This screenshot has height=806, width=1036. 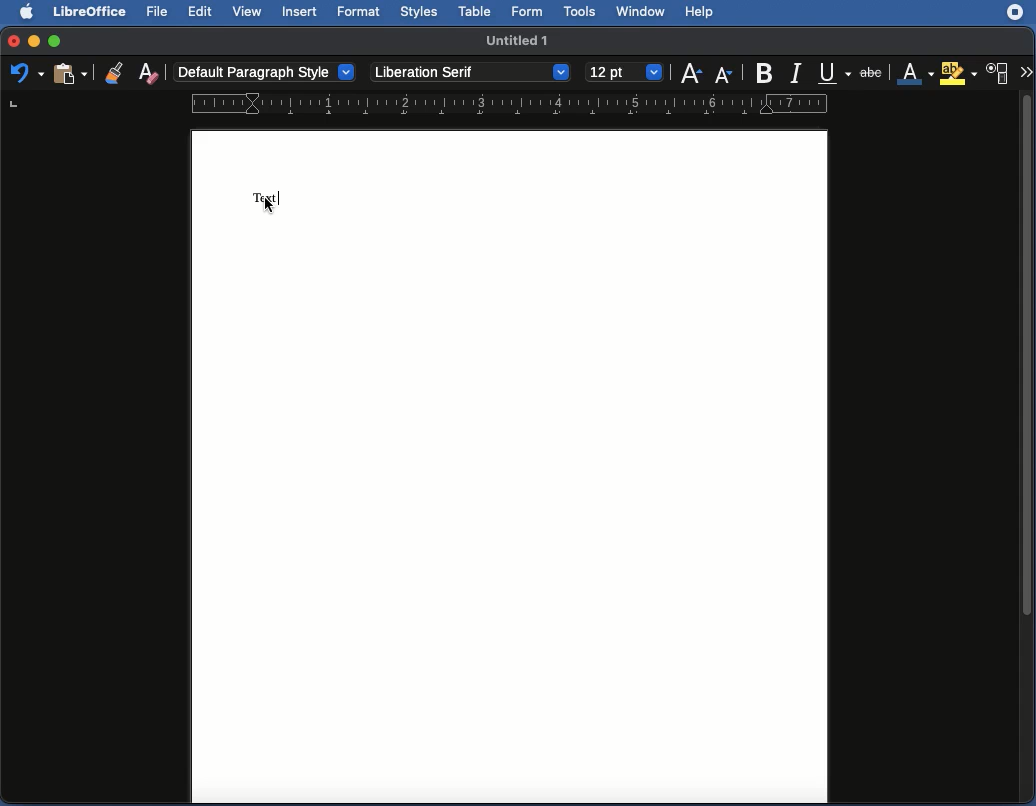 I want to click on LibreOffice, so click(x=91, y=12).